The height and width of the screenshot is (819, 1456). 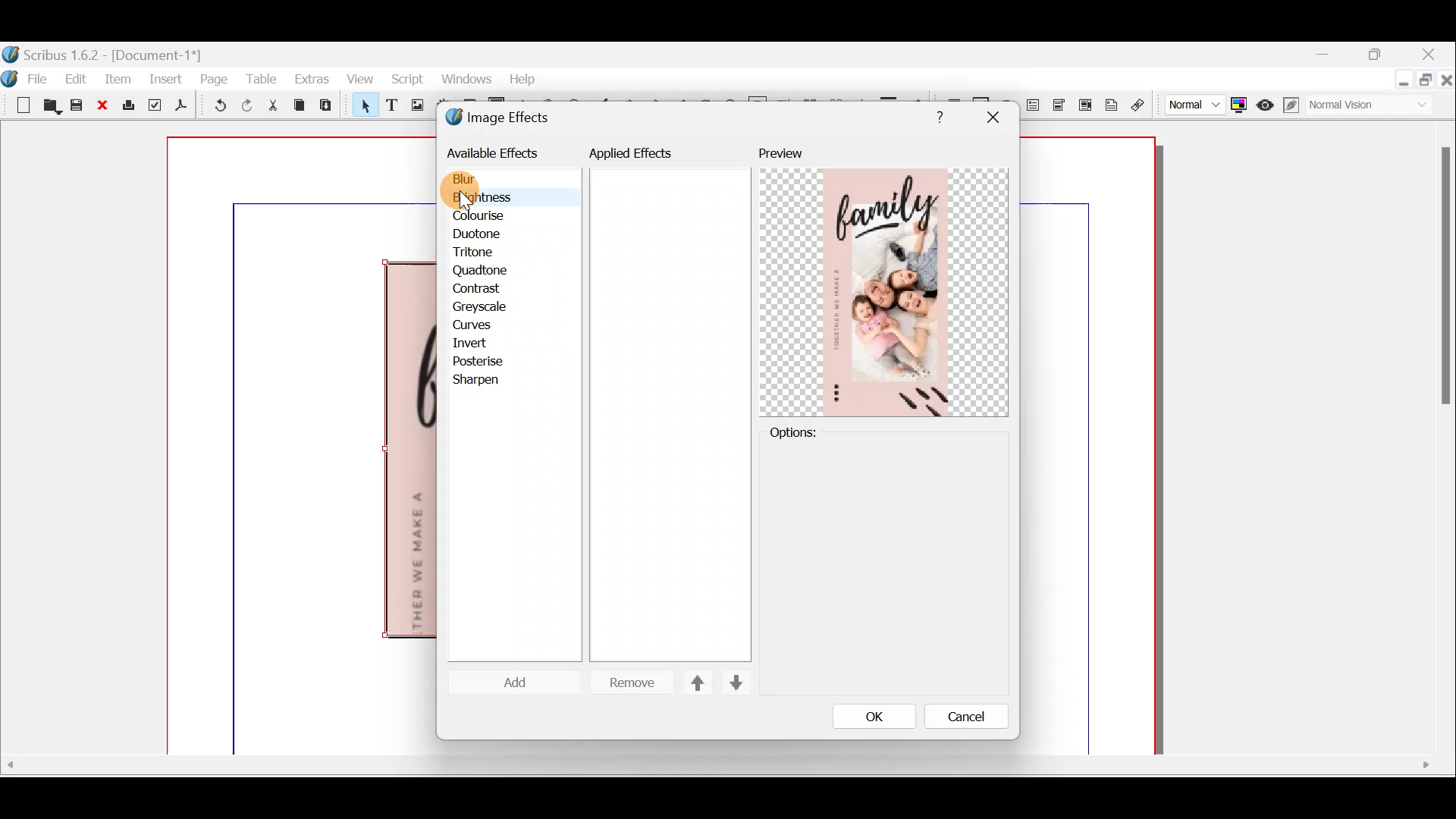 What do you see at coordinates (1332, 56) in the screenshot?
I see `Minimise` at bounding box center [1332, 56].